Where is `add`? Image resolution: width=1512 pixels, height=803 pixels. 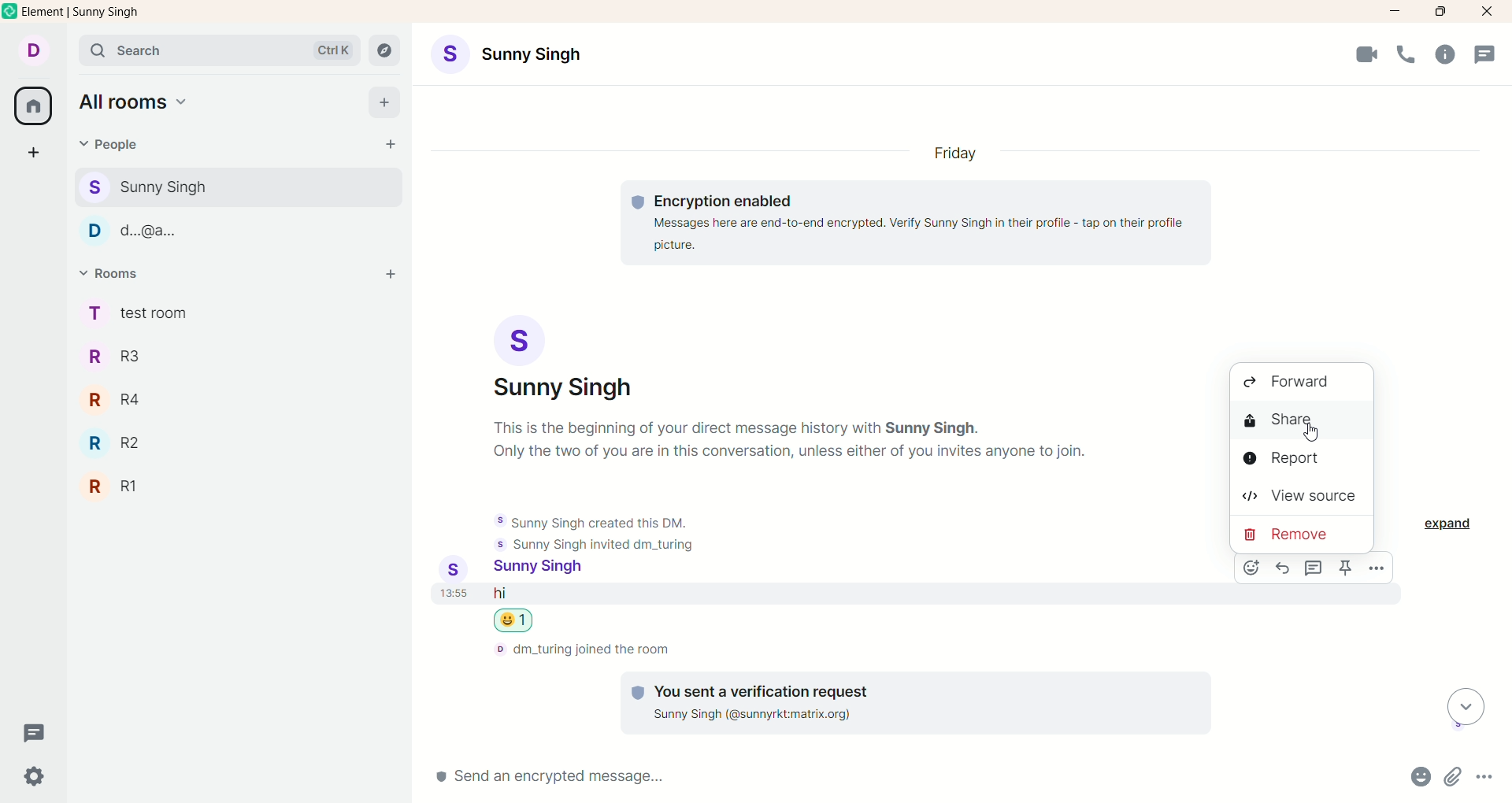
add is located at coordinates (386, 105).